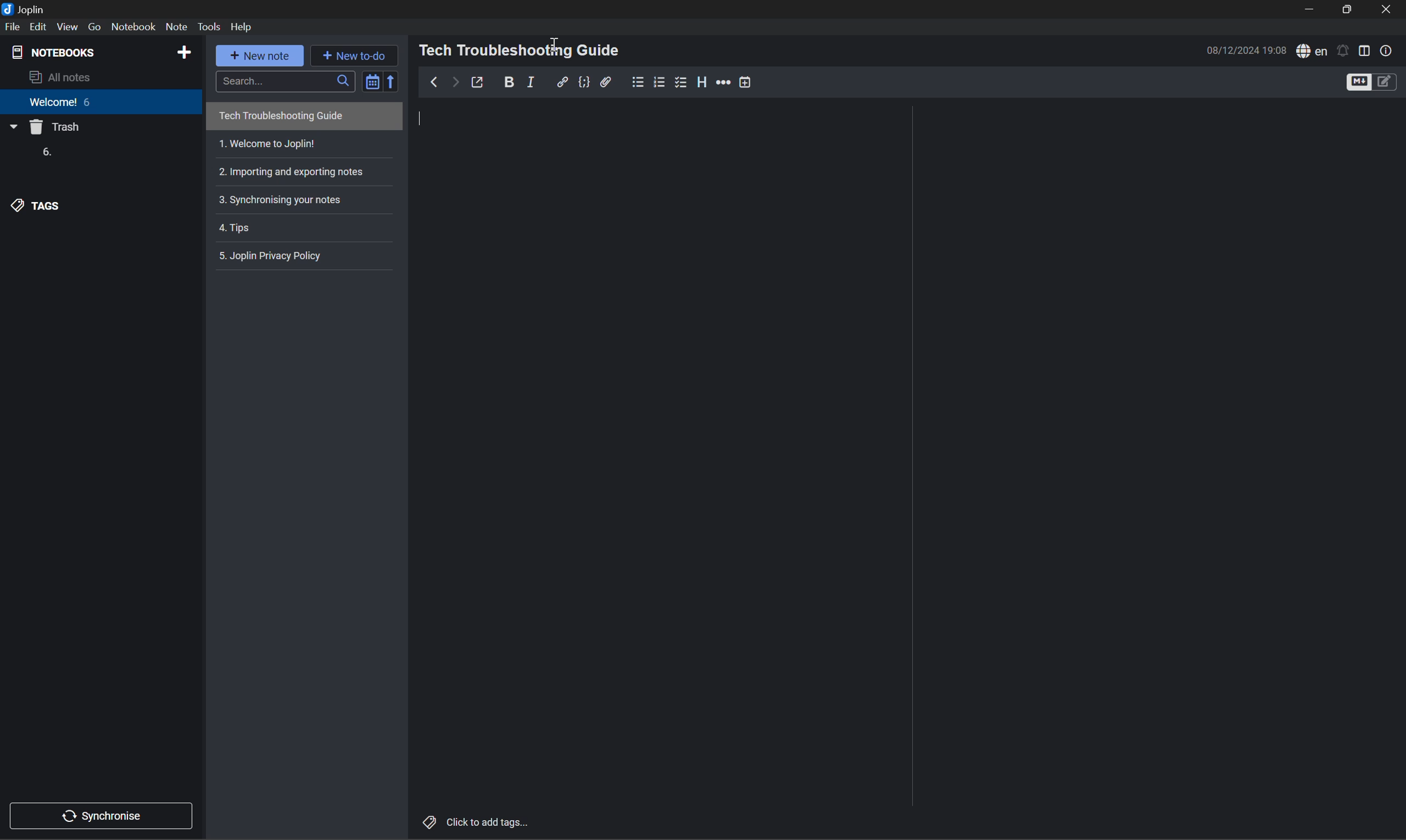 This screenshot has height=840, width=1406. What do you see at coordinates (55, 50) in the screenshot?
I see `NOTEBOOKS` at bounding box center [55, 50].